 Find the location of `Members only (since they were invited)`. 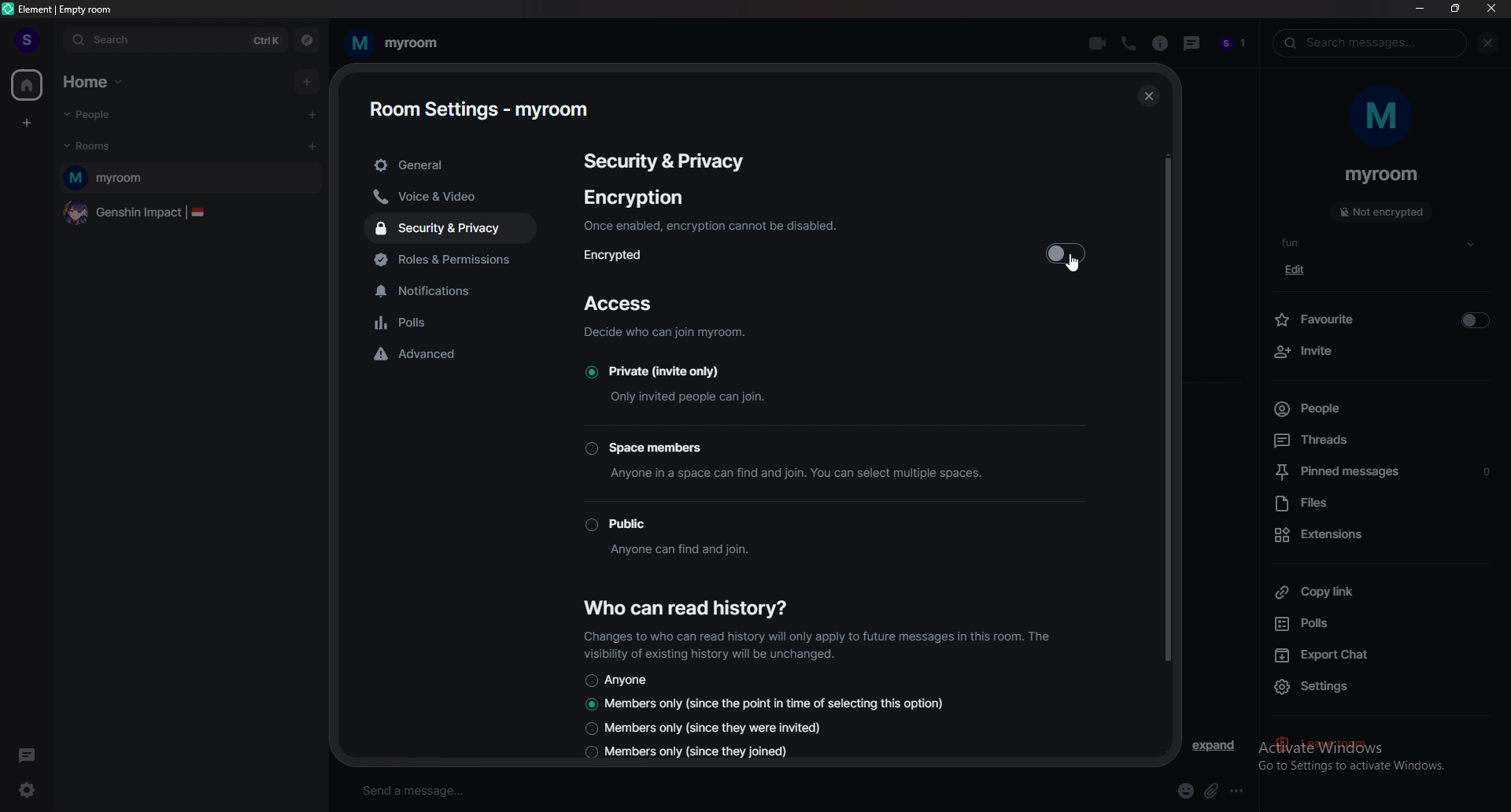

Members only (since they were invited) is located at coordinates (702, 728).